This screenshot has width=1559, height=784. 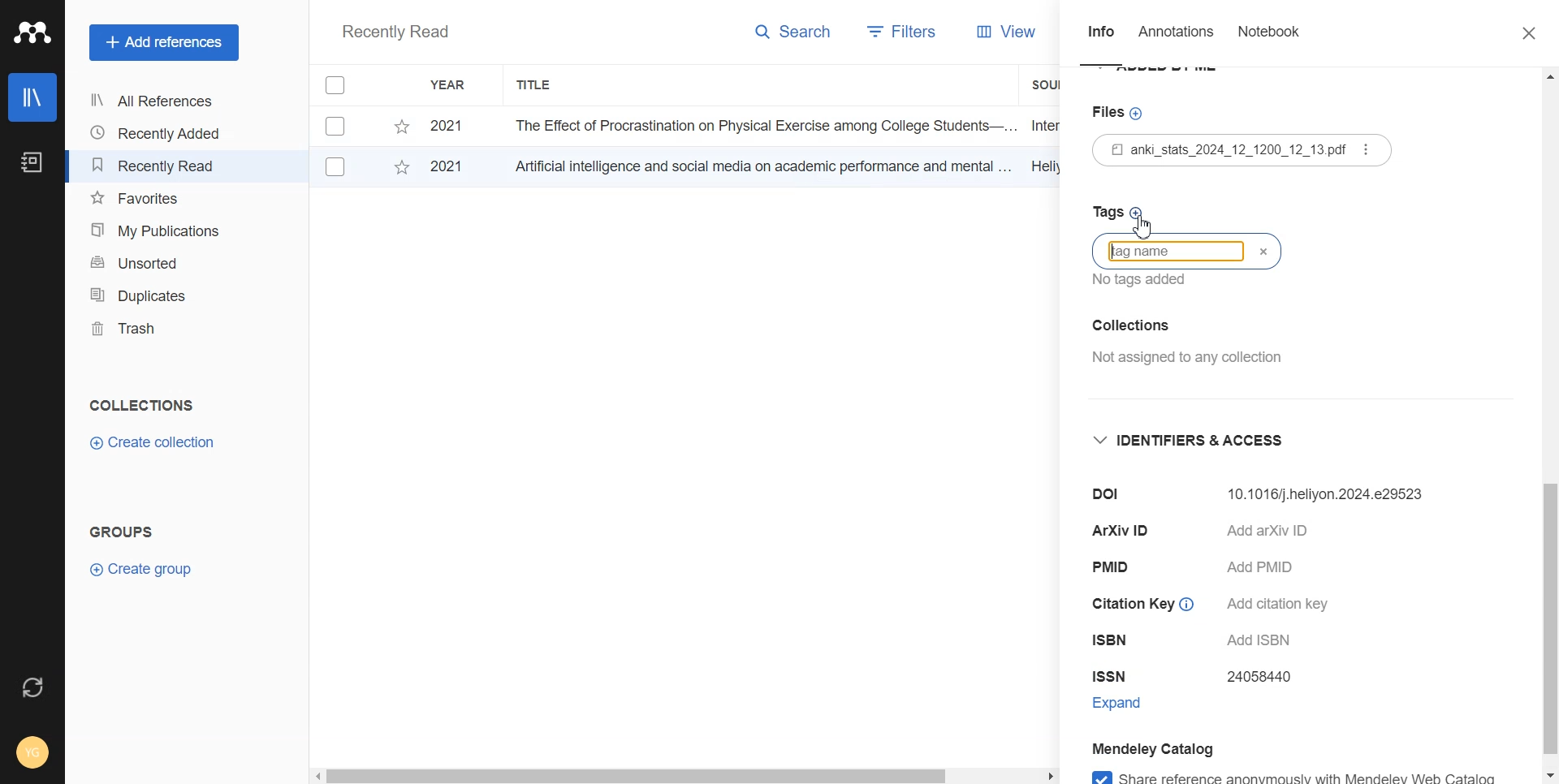 I want to click on Horizontal scroll bar, so click(x=684, y=774).